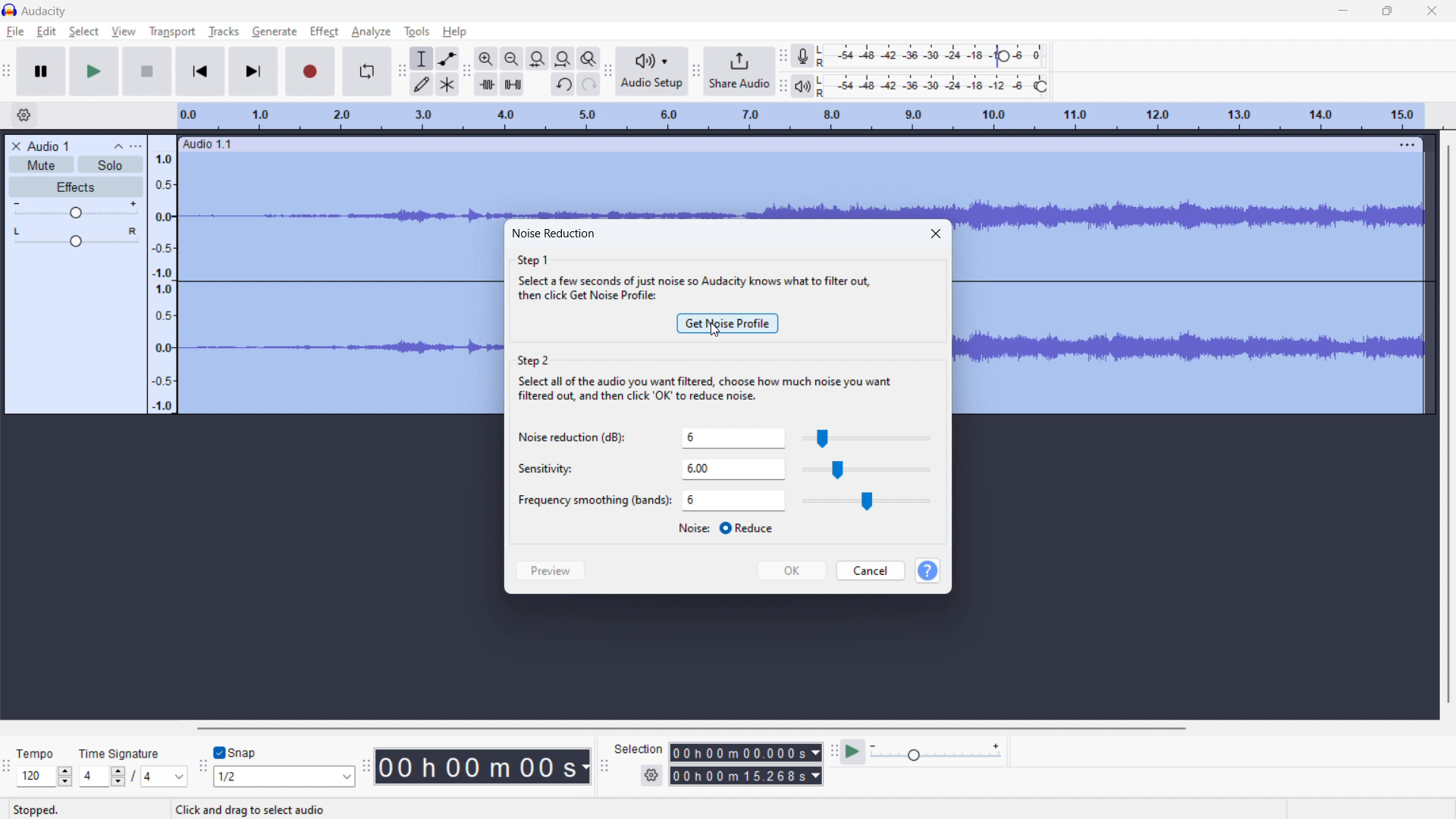  I want to click on close dialogbox, so click(937, 234).